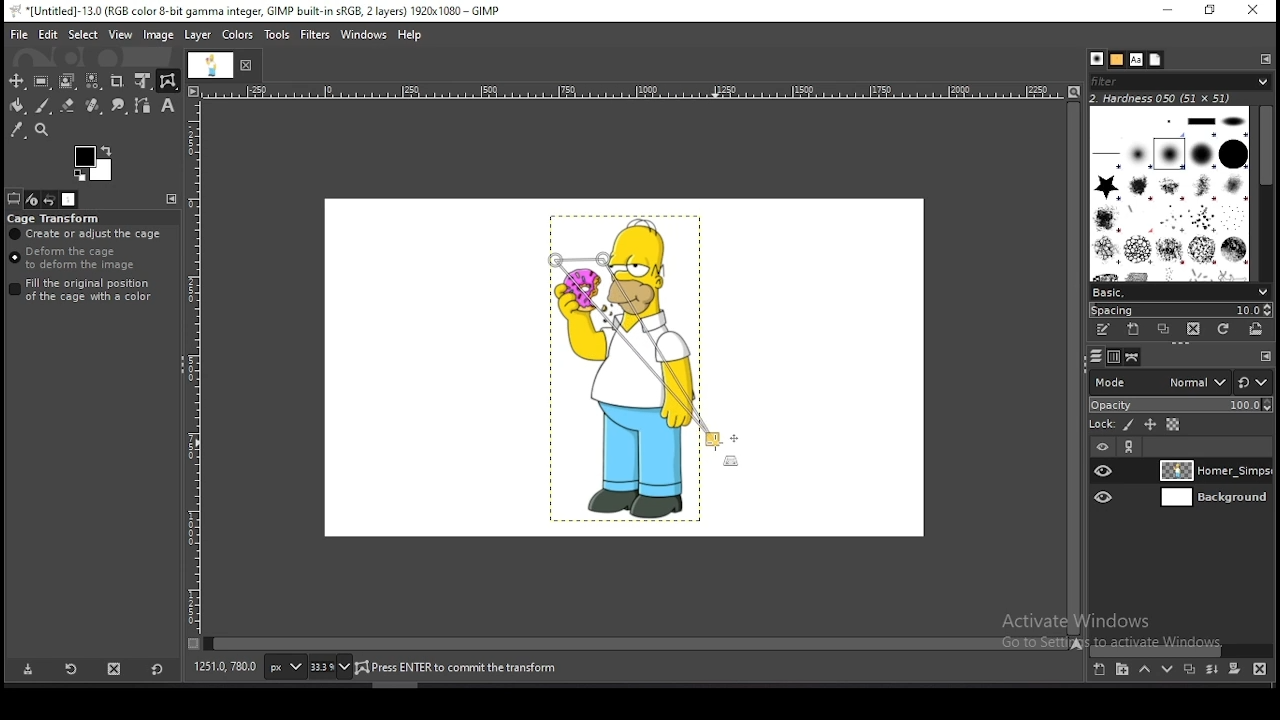 This screenshot has width=1280, height=720. What do you see at coordinates (1181, 290) in the screenshot?
I see `brush presets` at bounding box center [1181, 290].